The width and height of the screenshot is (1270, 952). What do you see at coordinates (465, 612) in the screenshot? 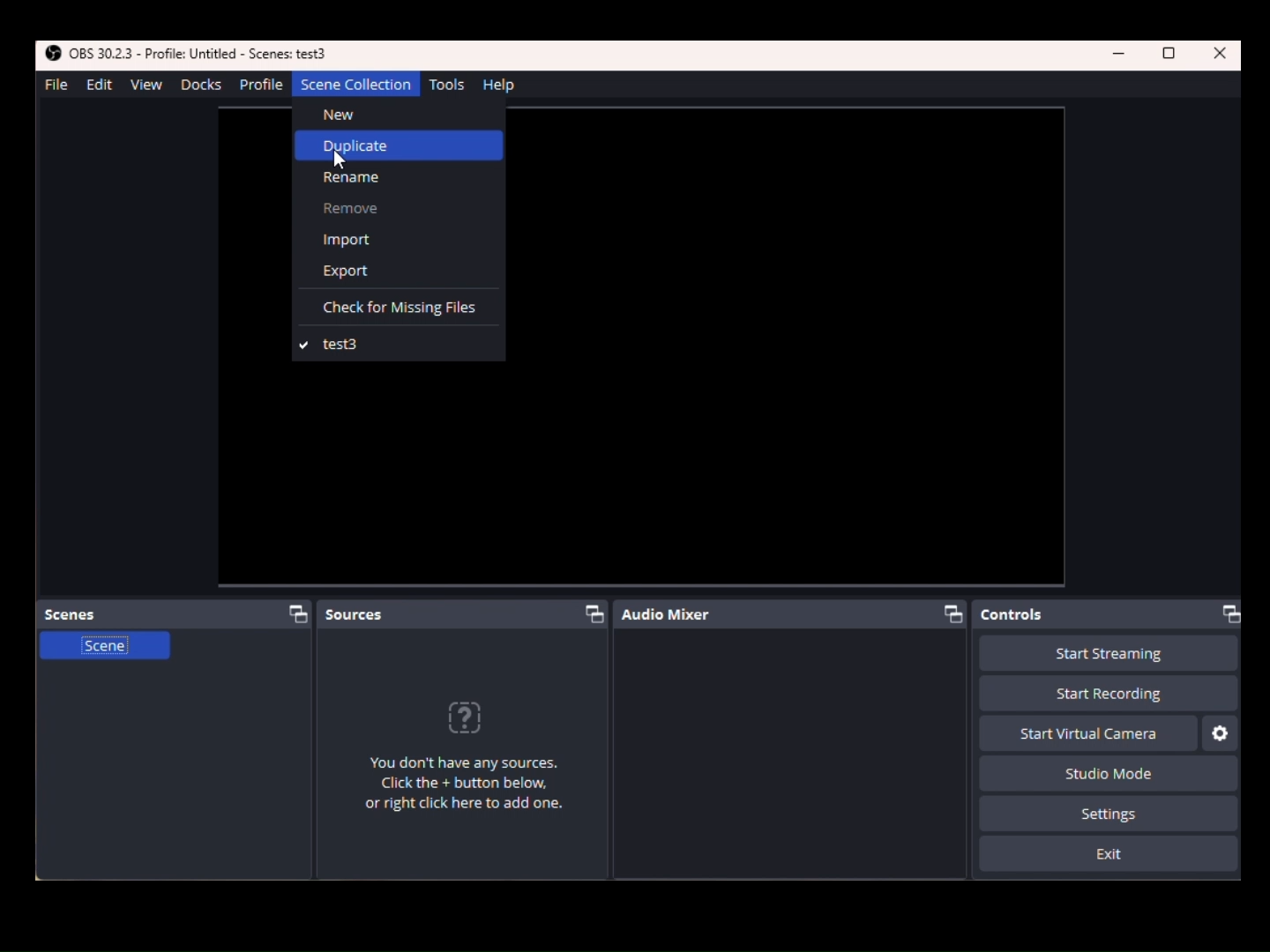
I see `Scources` at bounding box center [465, 612].